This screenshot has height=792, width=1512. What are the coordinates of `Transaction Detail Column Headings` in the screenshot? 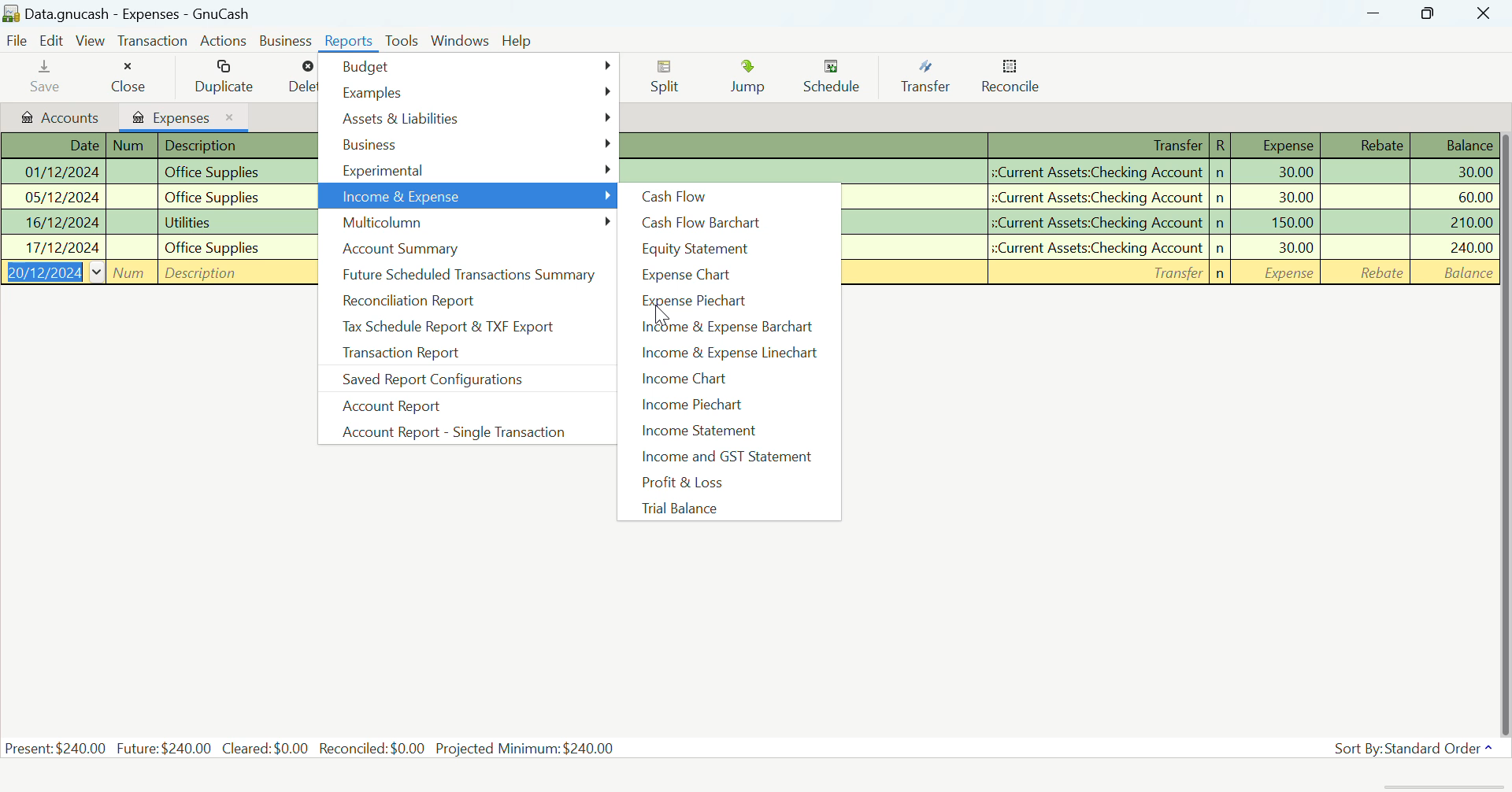 It's located at (1062, 145).